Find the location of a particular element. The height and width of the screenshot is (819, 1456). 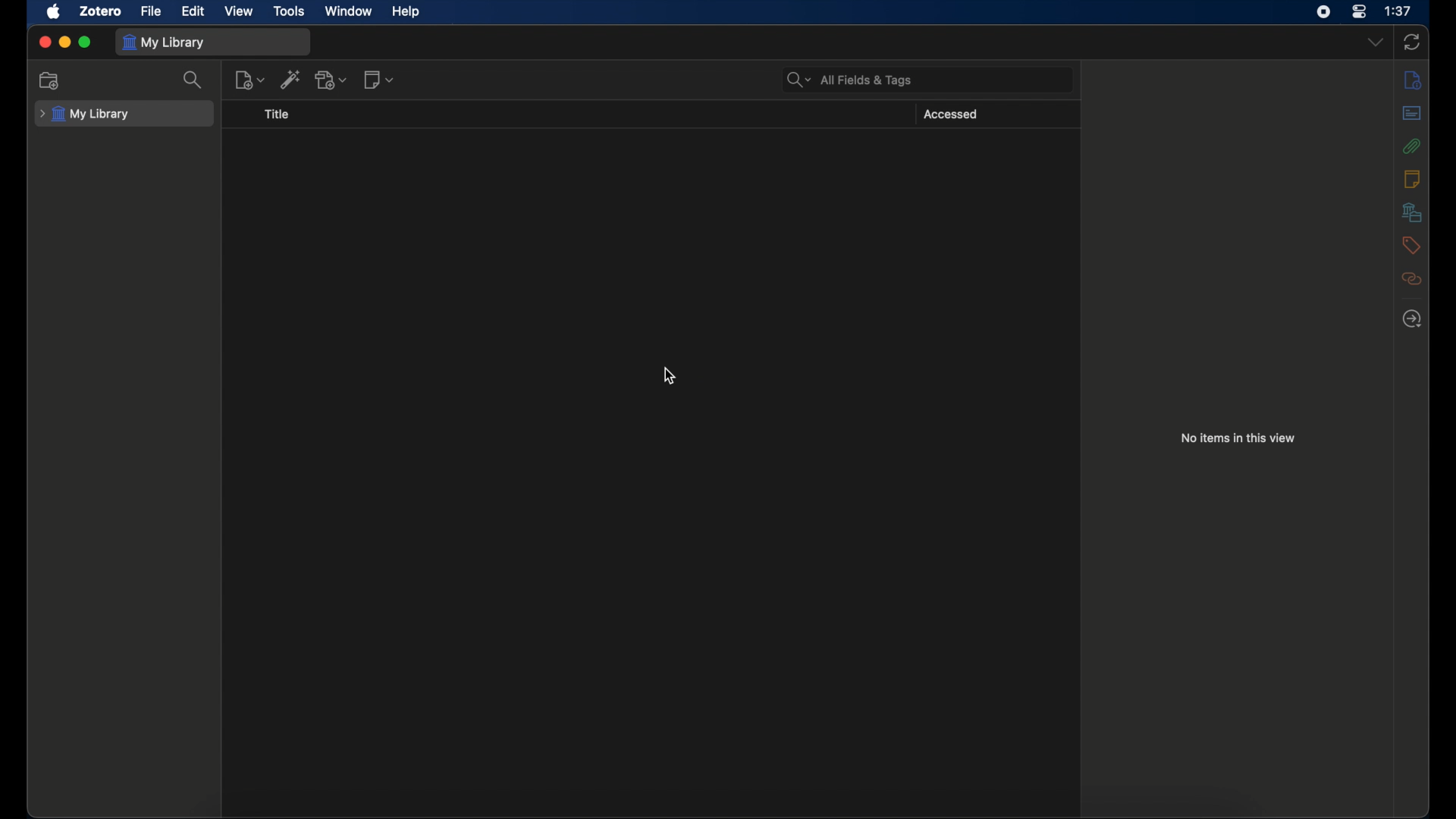

screen recorder is located at coordinates (1323, 11).